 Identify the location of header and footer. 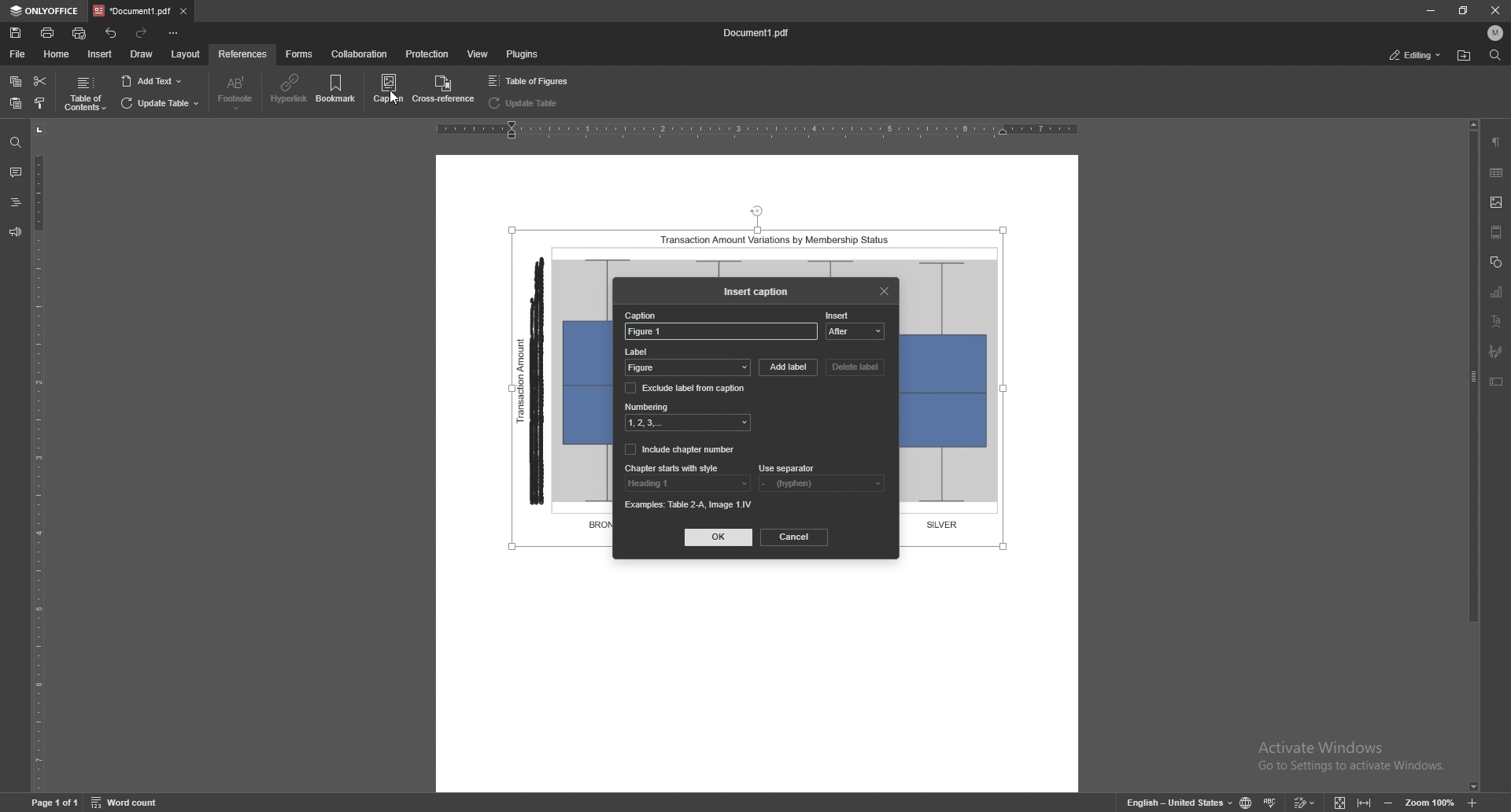
(1497, 231).